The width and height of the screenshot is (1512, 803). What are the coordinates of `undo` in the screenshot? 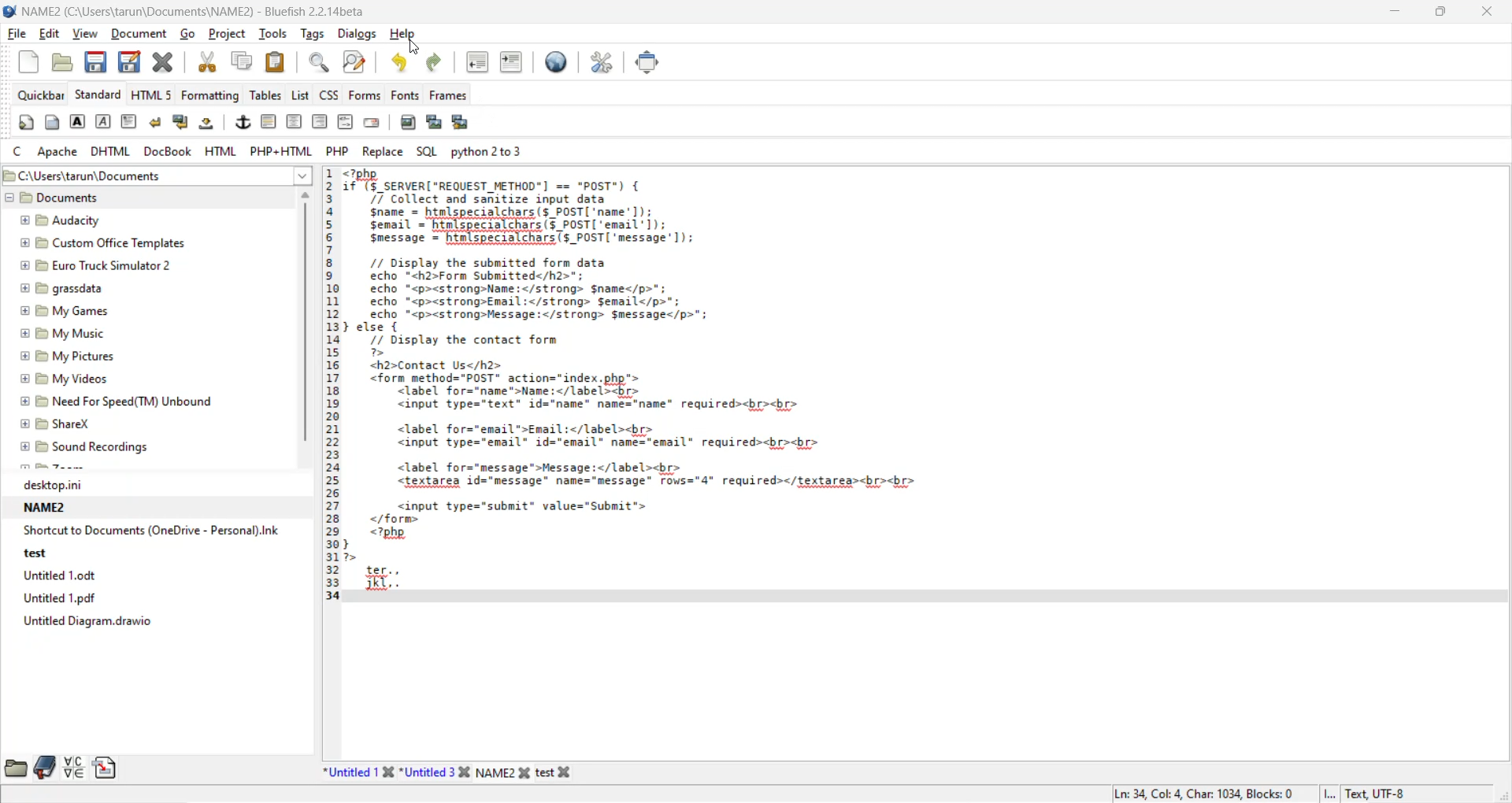 It's located at (398, 65).